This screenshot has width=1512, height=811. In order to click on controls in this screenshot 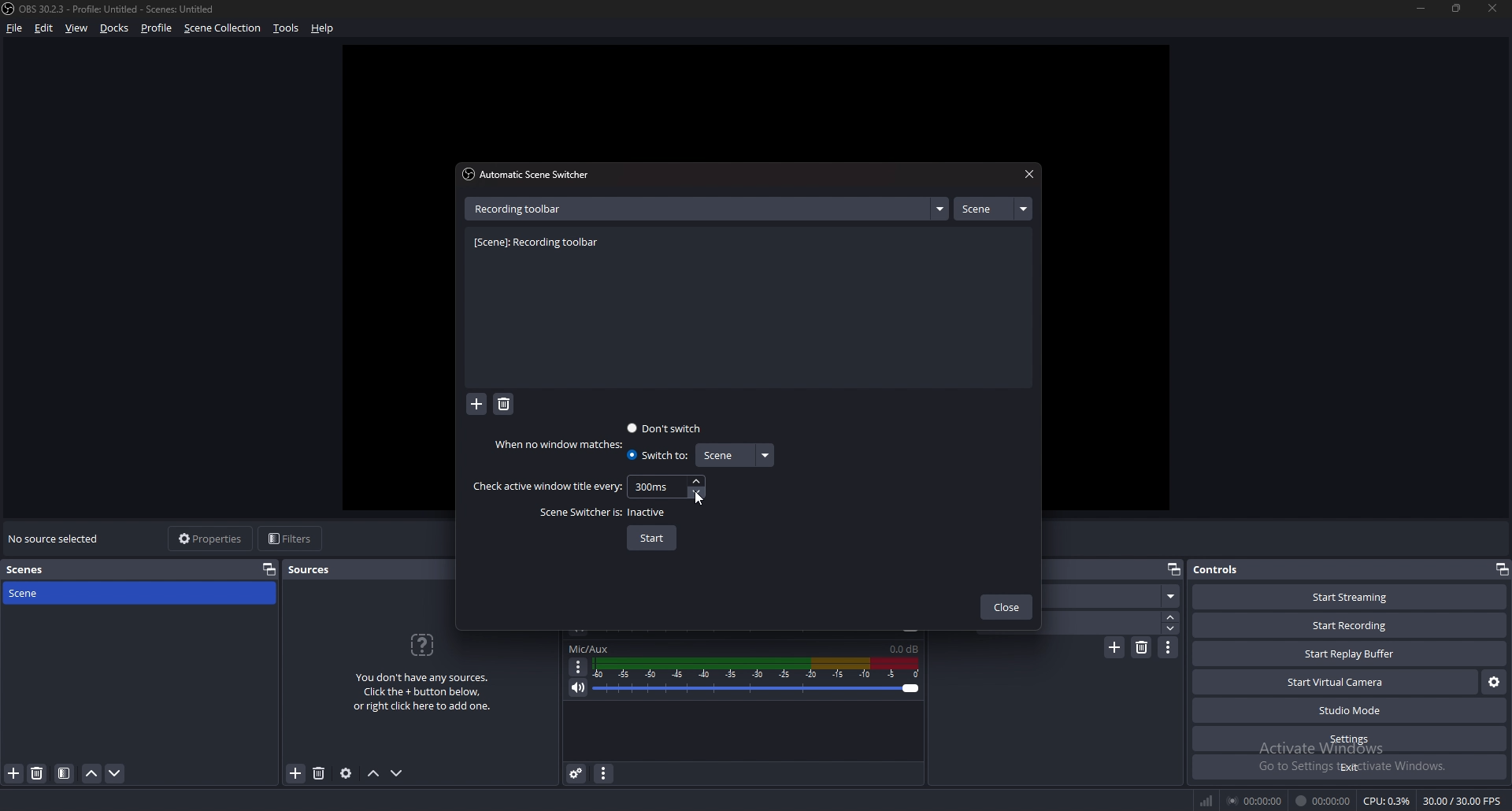, I will do `click(1232, 568)`.